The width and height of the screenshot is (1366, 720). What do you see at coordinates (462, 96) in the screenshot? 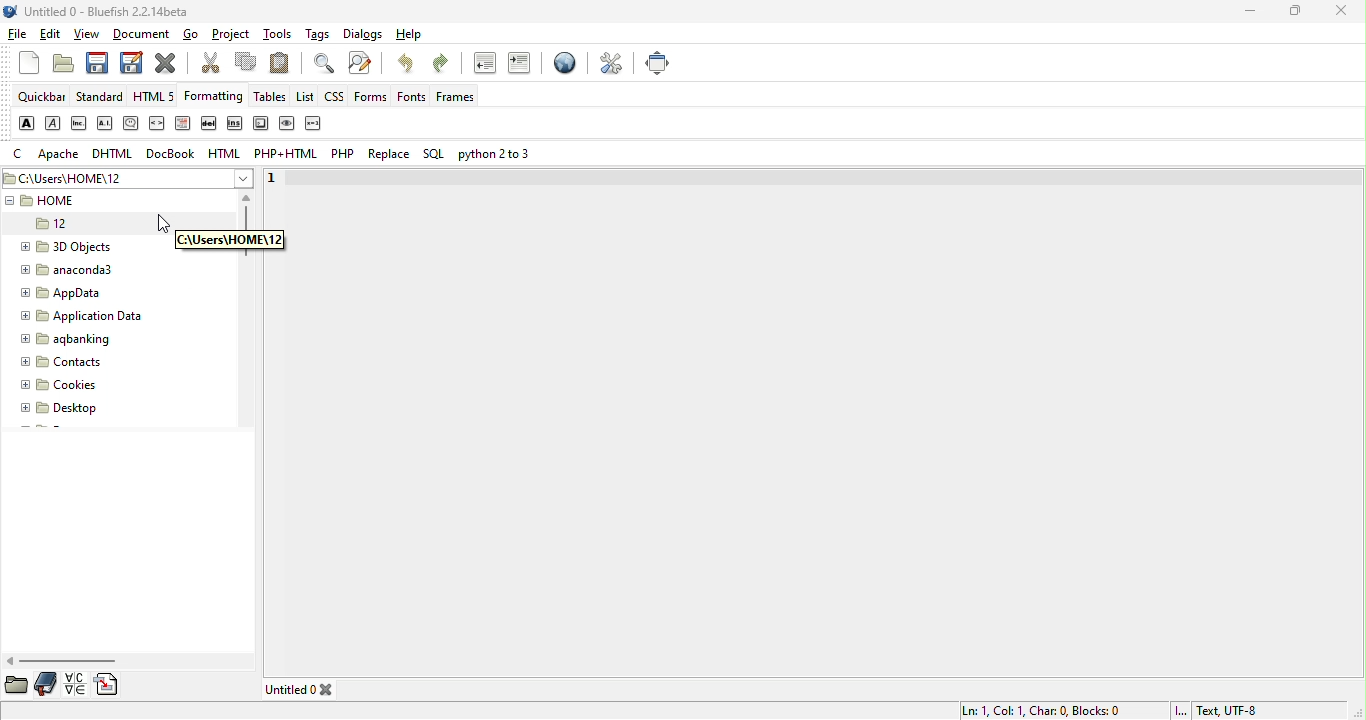
I see `frames` at bounding box center [462, 96].